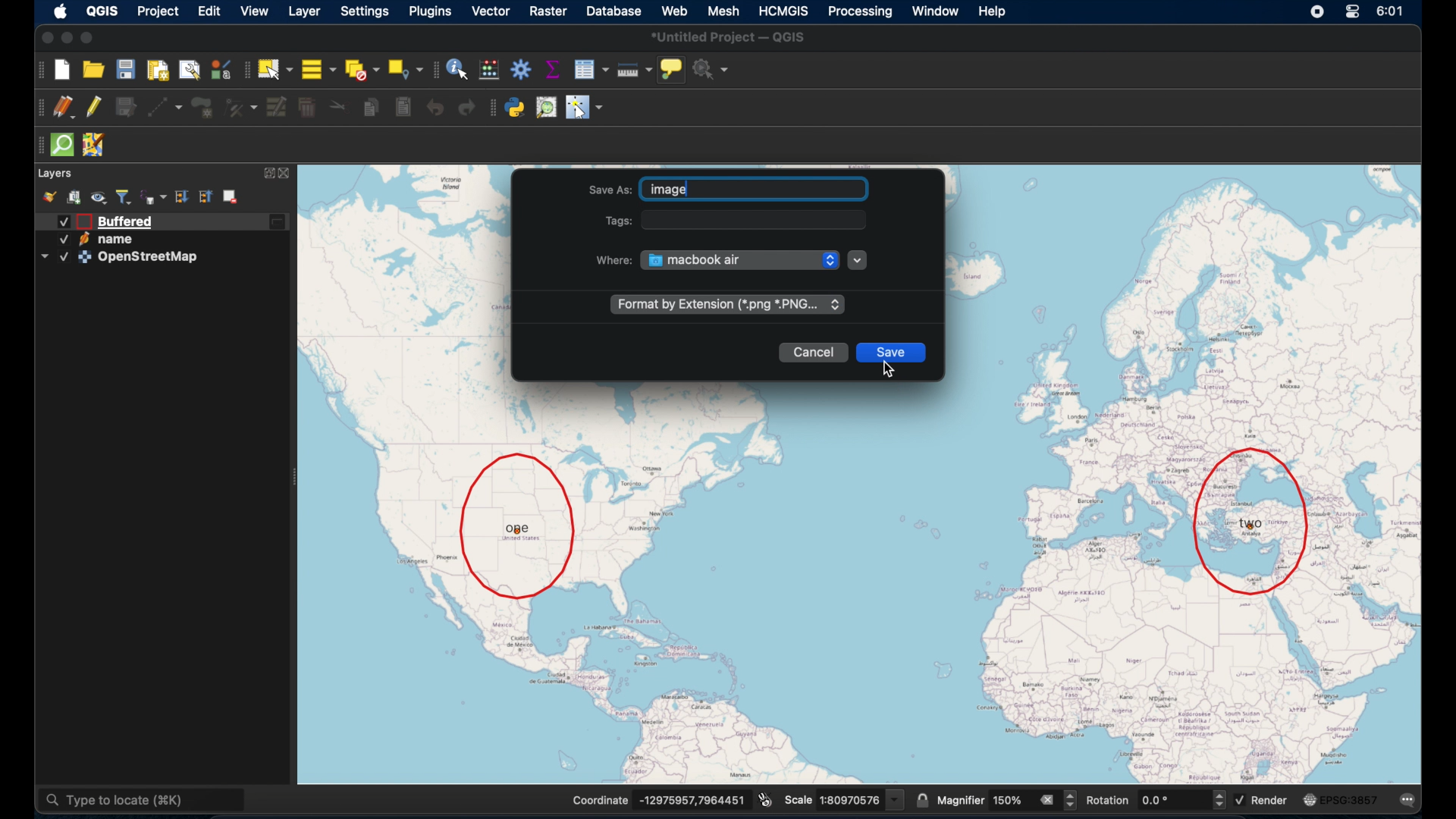  Describe the element at coordinates (764, 797) in the screenshot. I see `toggle extents and position mouse display` at that location.